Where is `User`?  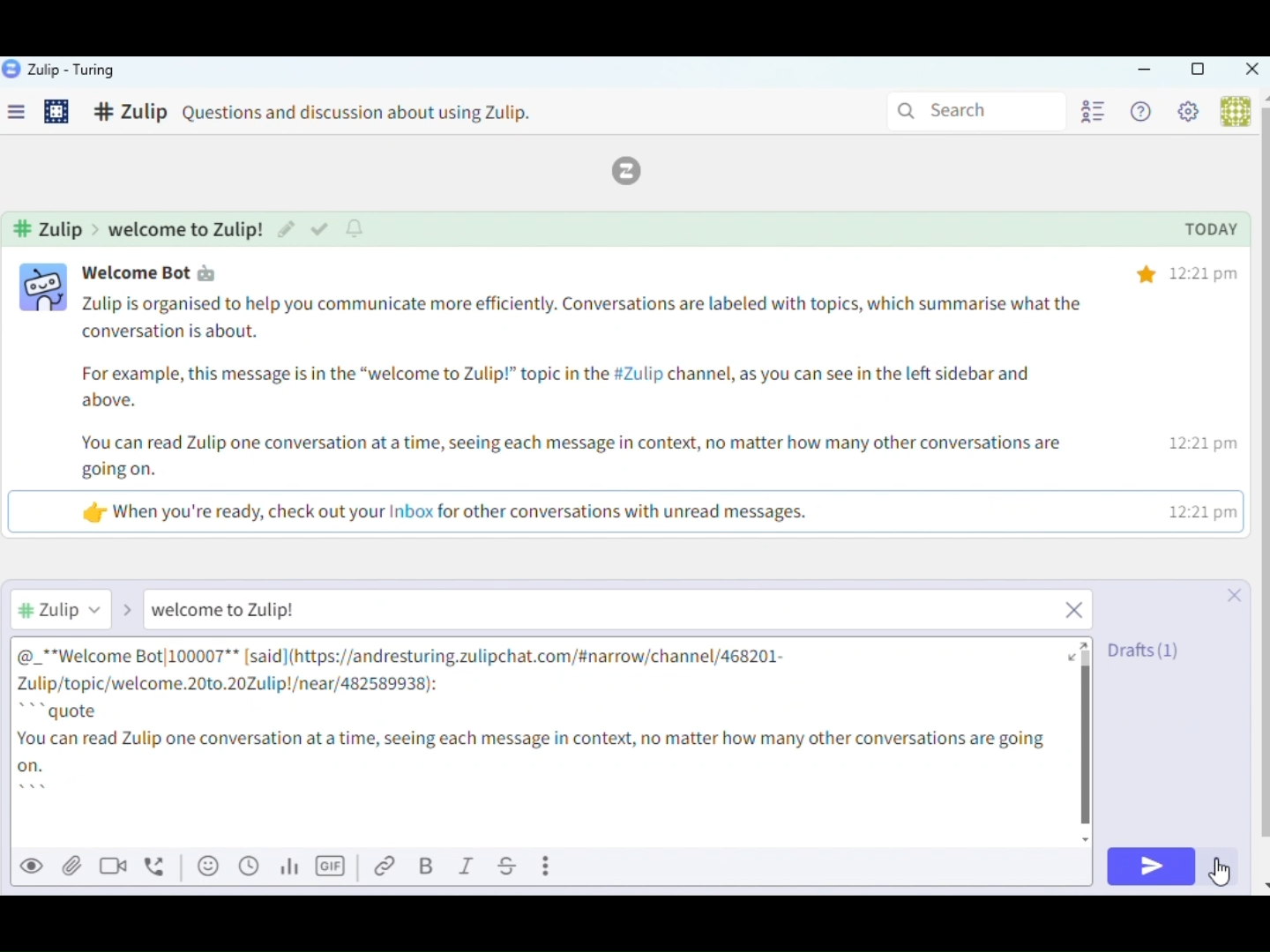 User is located at coordinates (1233, 111).